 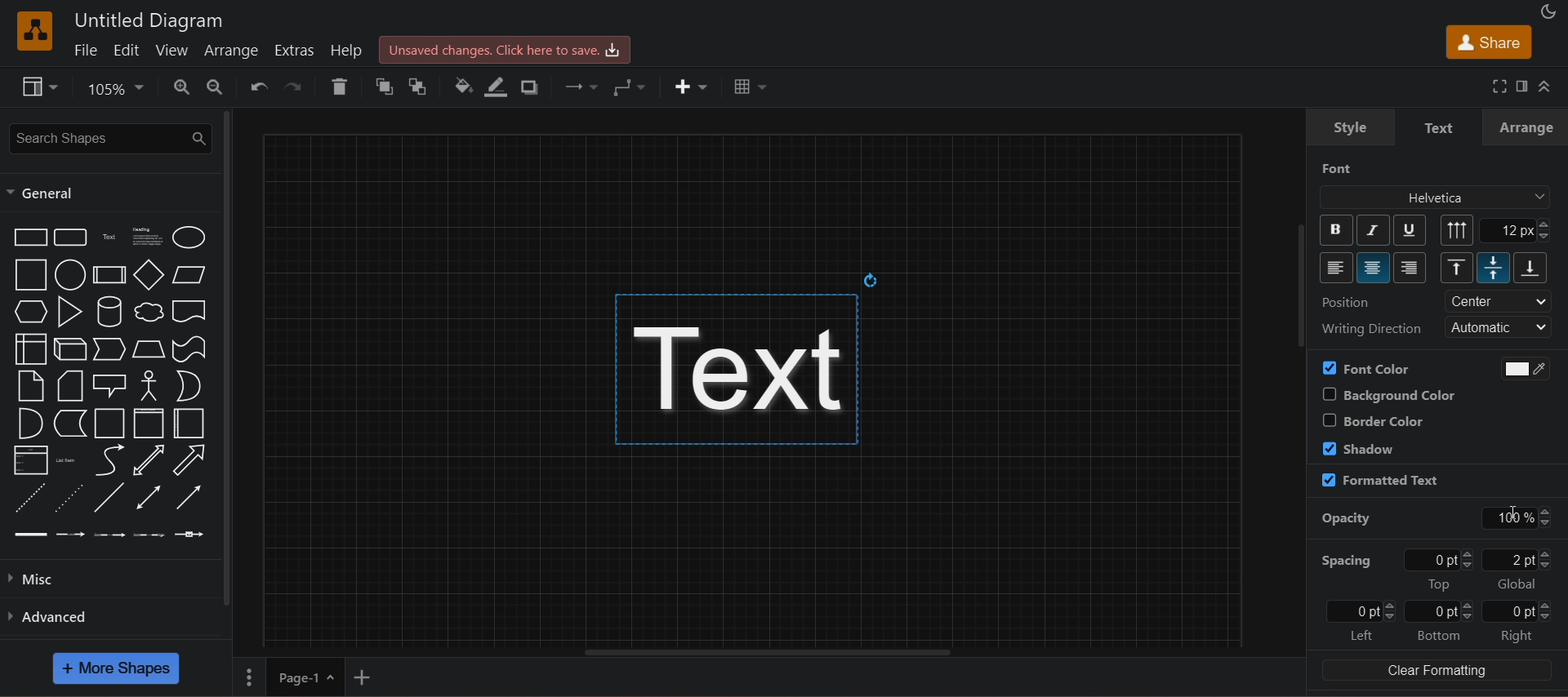 I want to click on left, so click(x=1361, y=636).